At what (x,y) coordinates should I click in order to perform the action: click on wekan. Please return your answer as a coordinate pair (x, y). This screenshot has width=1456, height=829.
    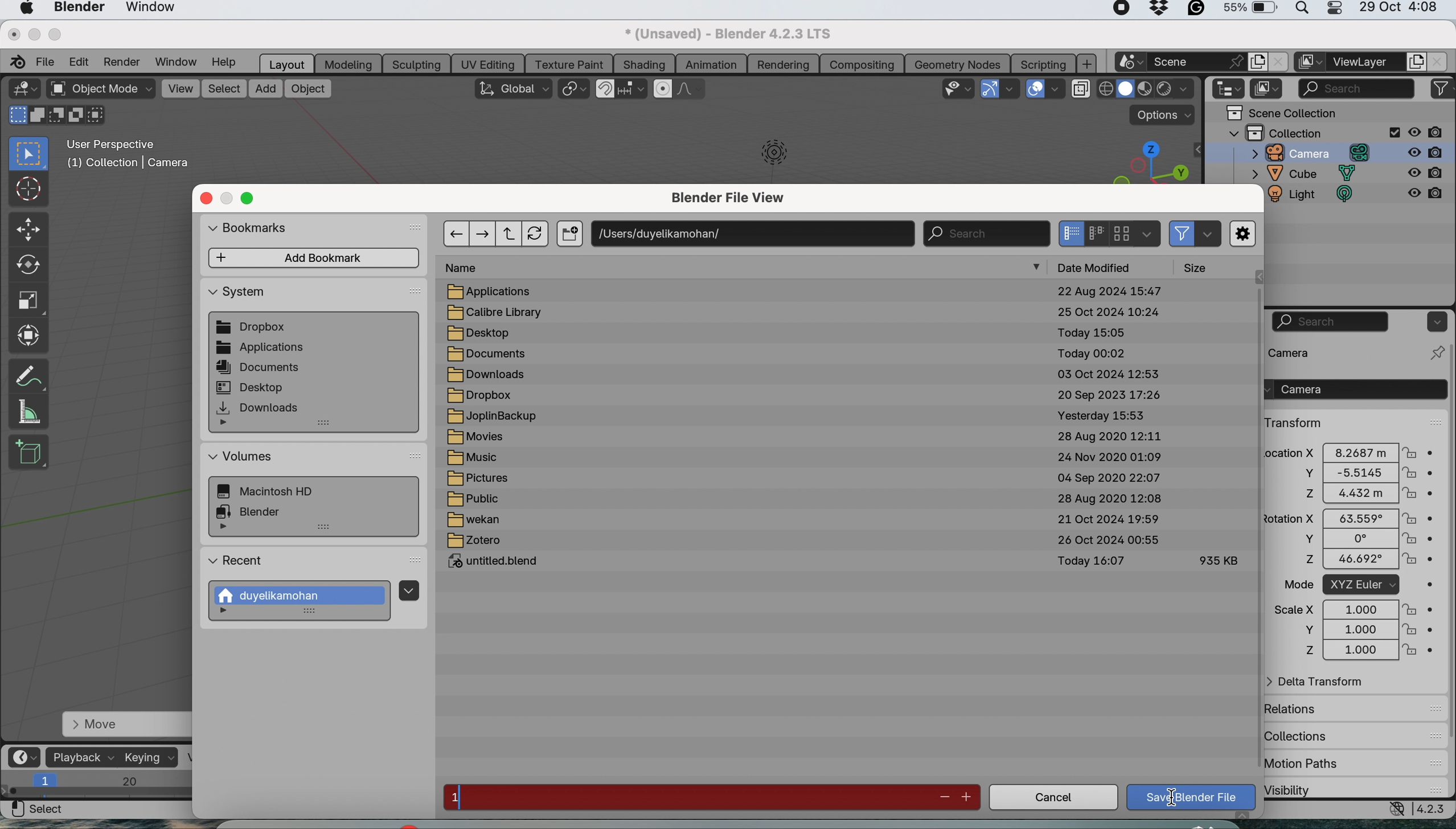
    Looking at the image, I should click on (473, 521).